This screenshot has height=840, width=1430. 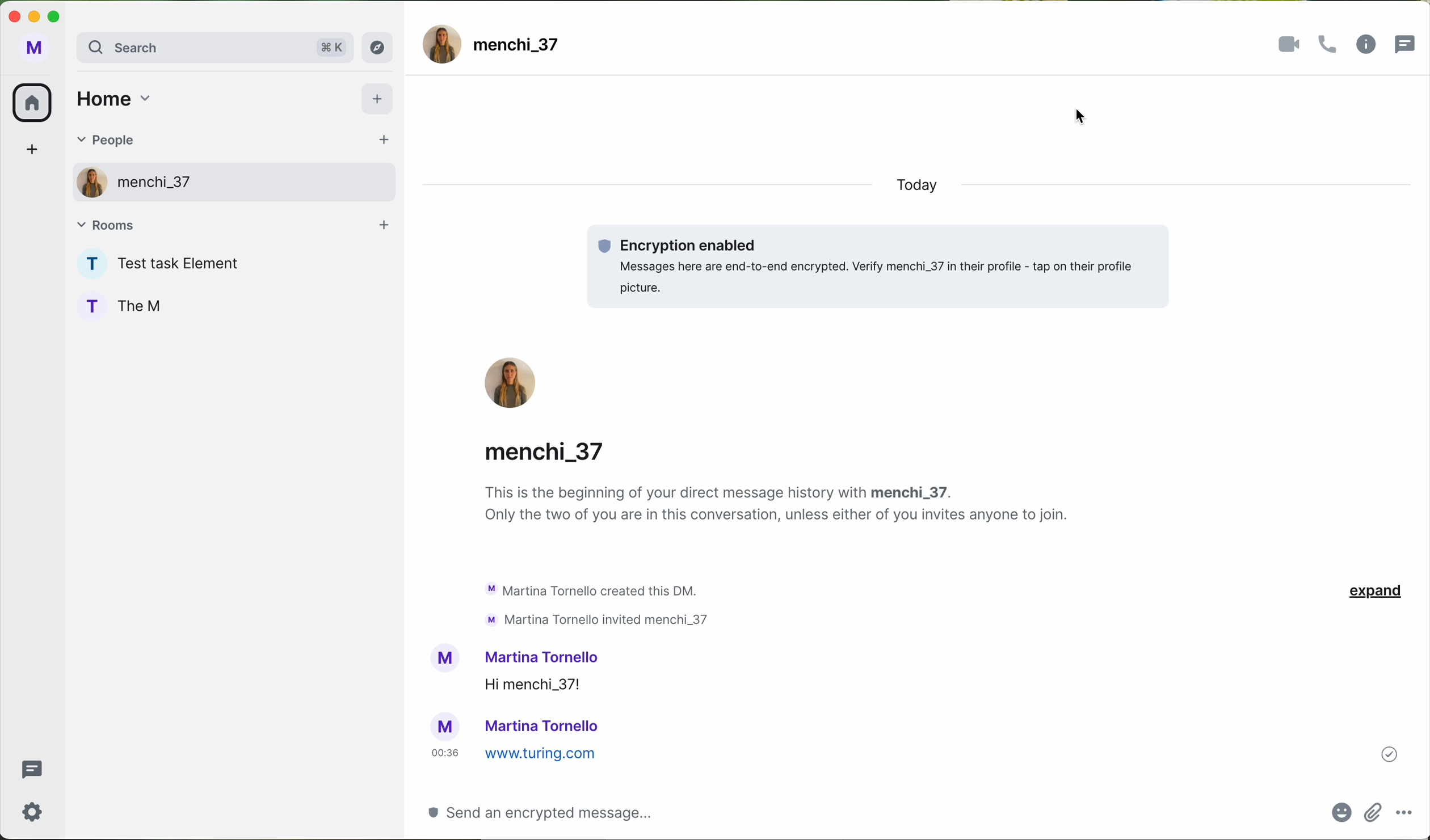 I want to click on people tab, so click(x=230, y=142).